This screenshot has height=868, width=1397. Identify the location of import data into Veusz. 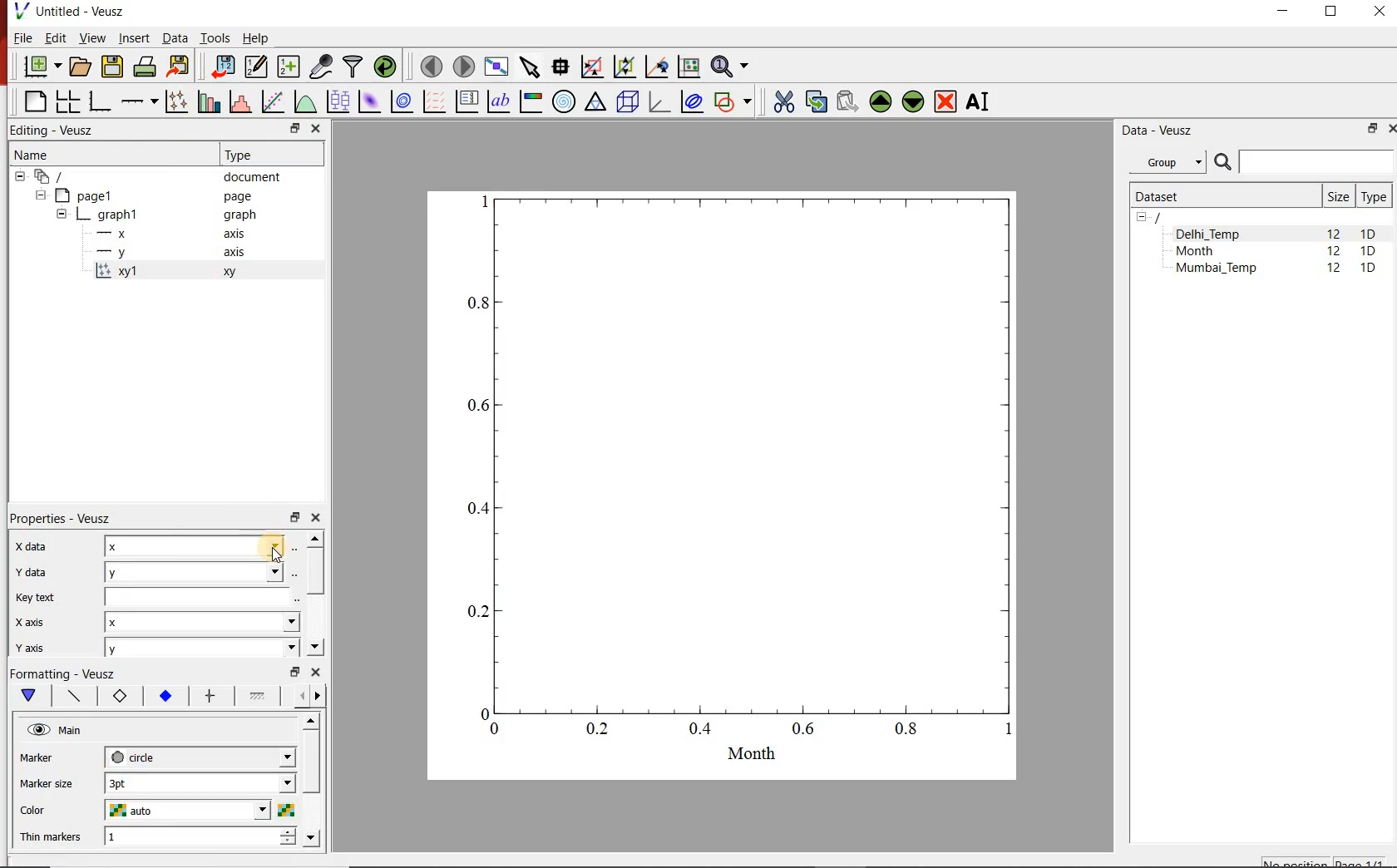
(221, 67).